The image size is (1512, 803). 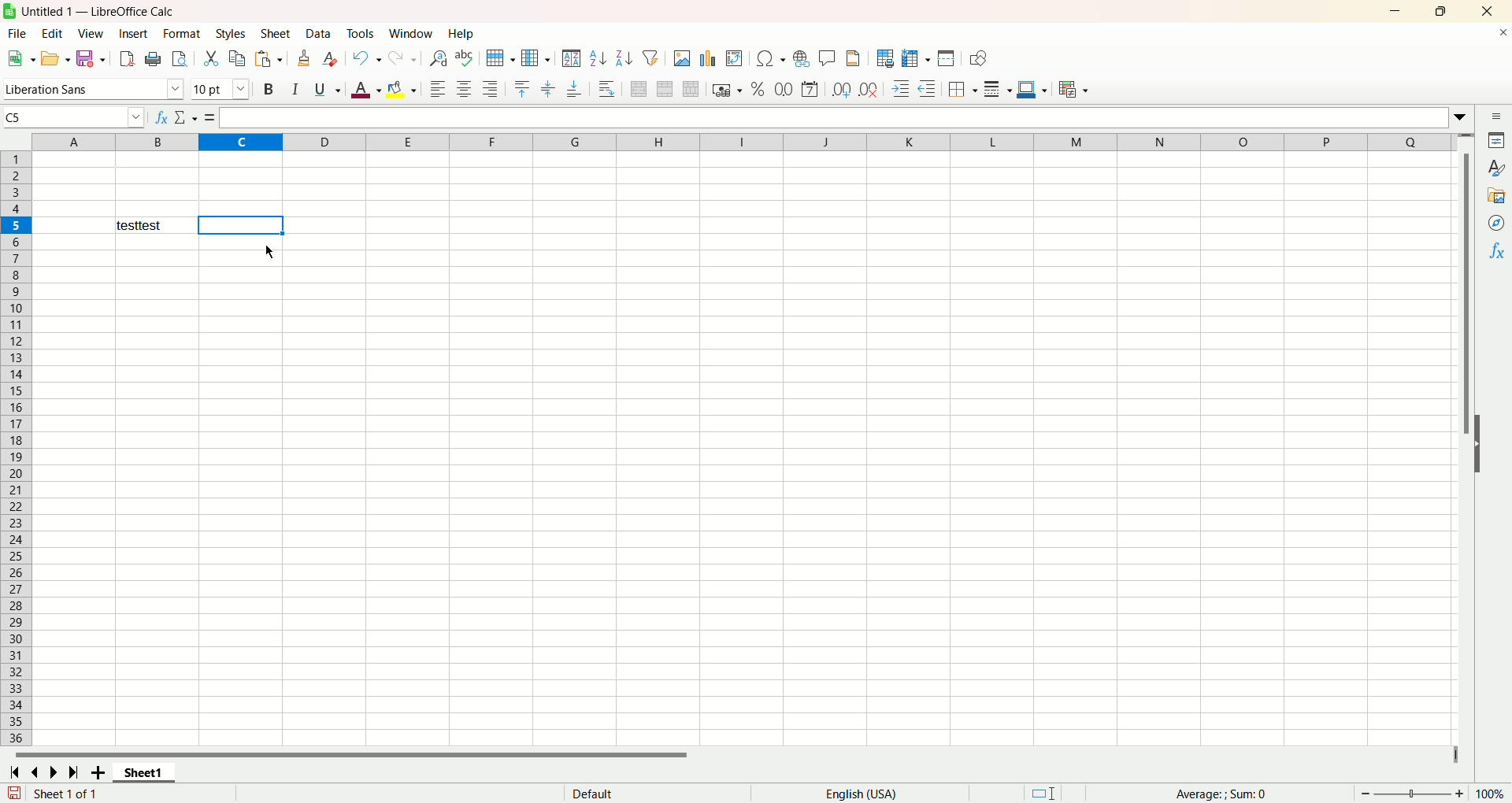 What do you see at coordinates (963, 91) in the screenshot?
I see `border` at bounding box center [963, 91].